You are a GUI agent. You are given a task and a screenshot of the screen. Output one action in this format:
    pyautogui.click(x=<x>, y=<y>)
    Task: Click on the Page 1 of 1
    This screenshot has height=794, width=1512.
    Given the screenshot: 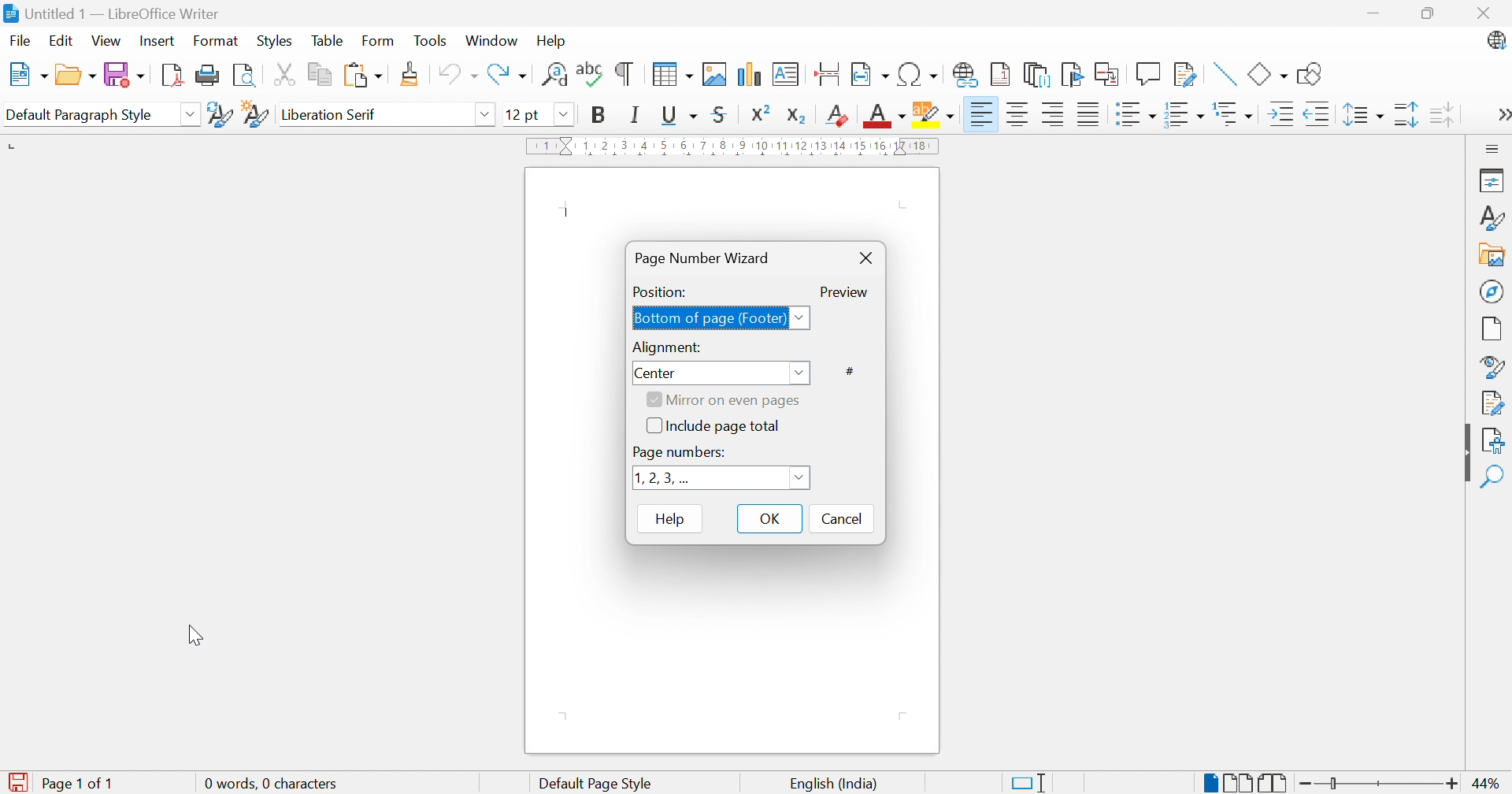 What is the action you would take?
    pyautogui.click(x=76, y=785)
    